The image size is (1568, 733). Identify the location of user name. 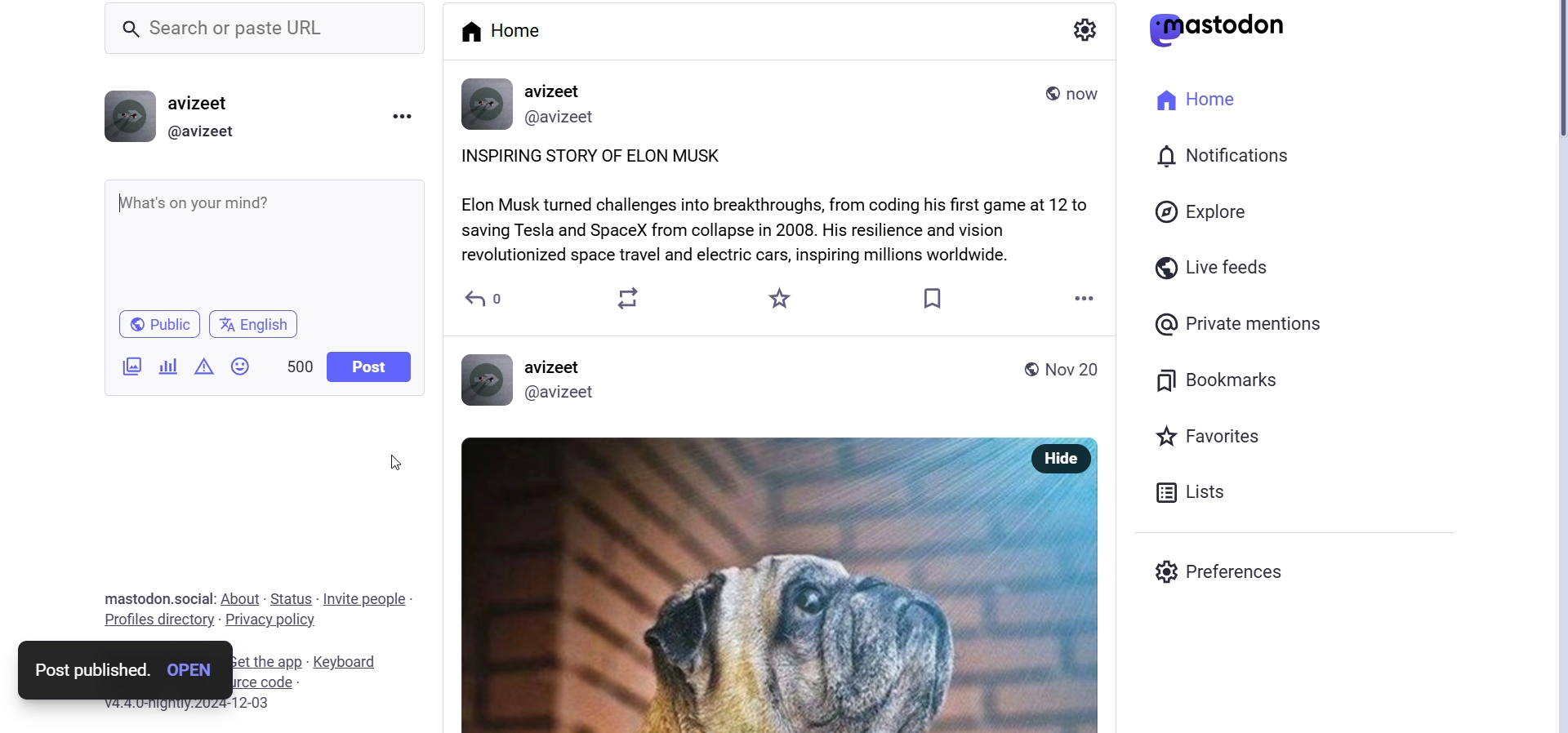
(207, 101).